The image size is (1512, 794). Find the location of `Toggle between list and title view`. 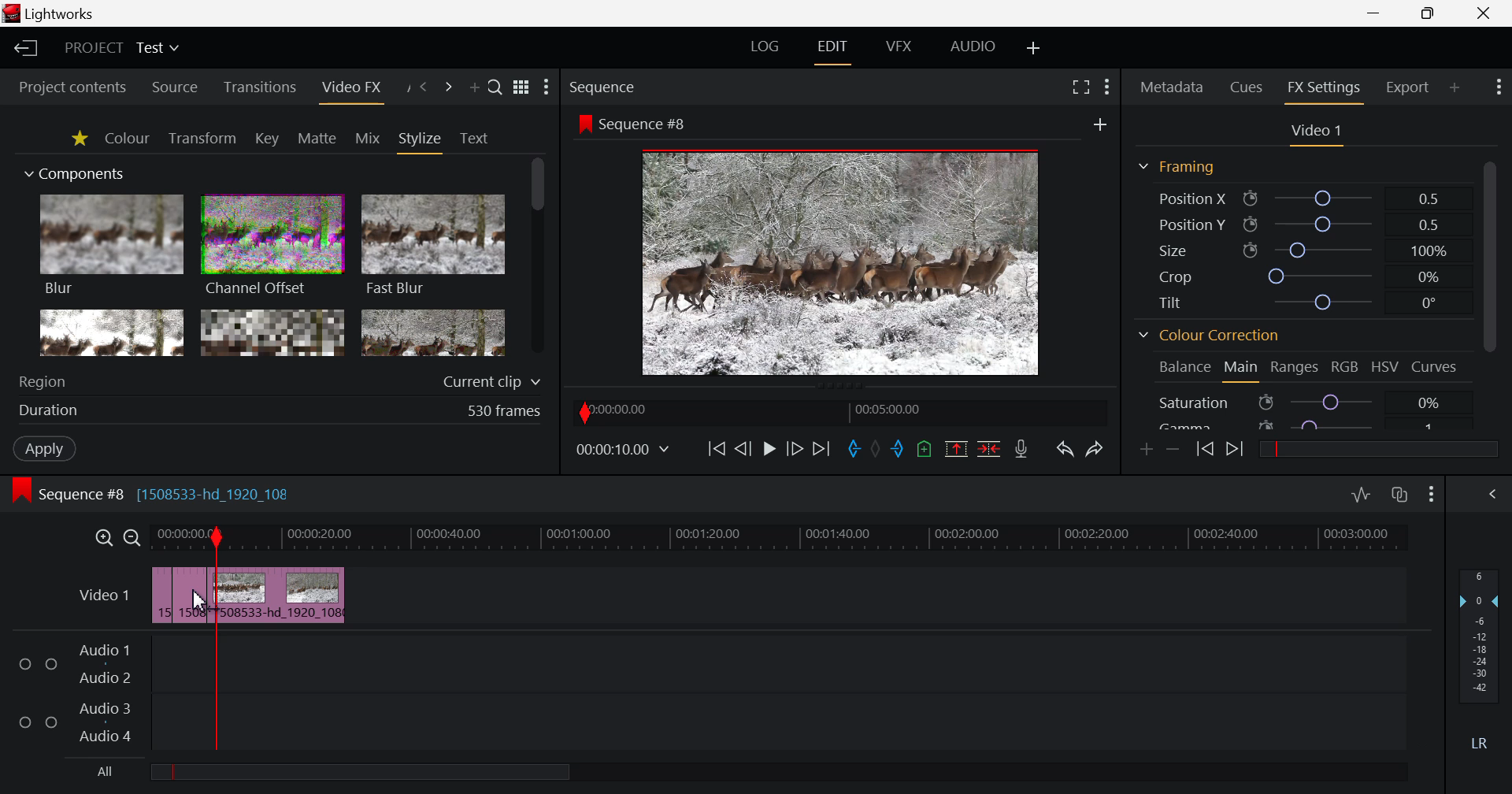

Toggle between list and title view is located at coordinates (521, 87).